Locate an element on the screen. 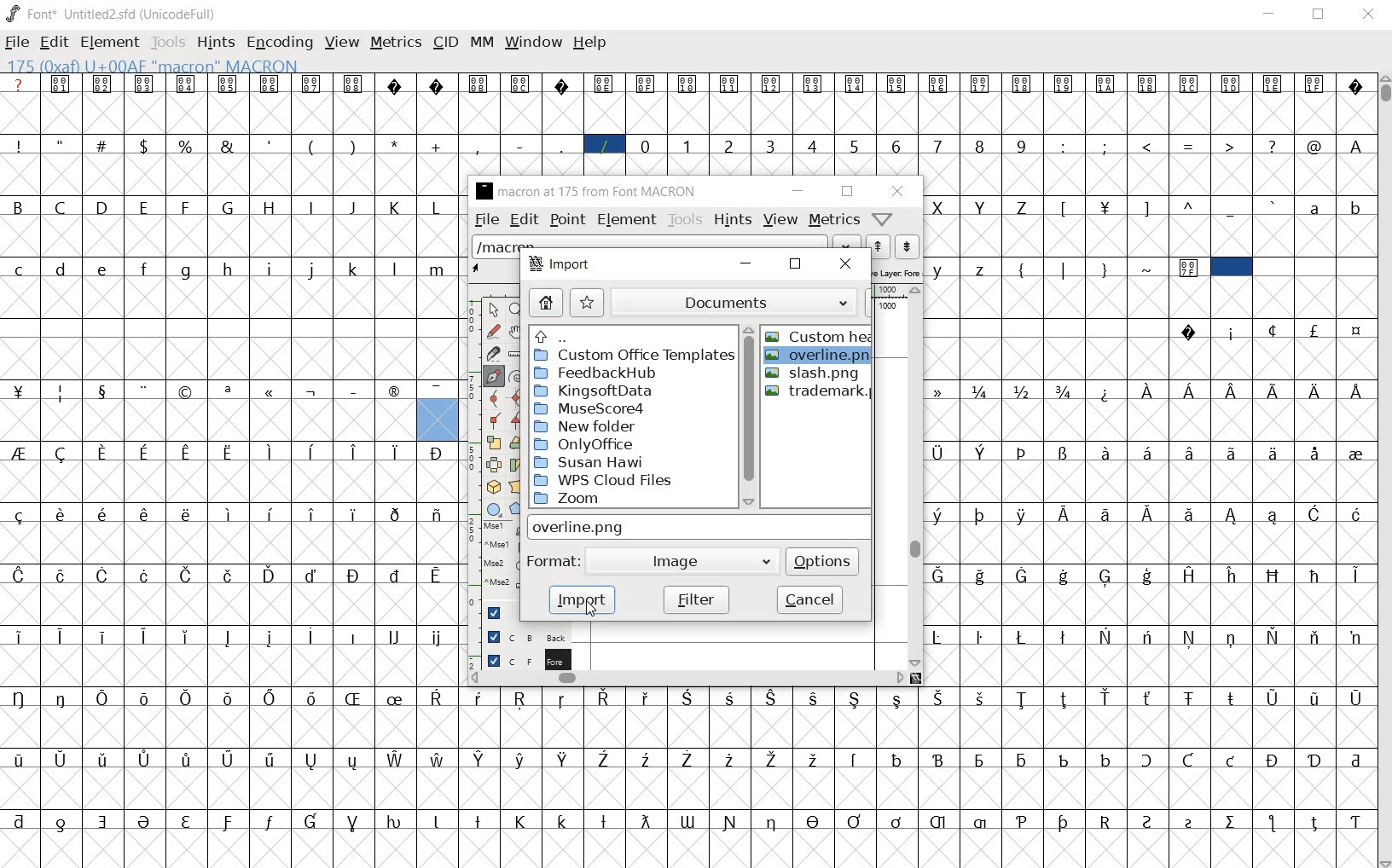 This screenshot has height=868, width=1392. Symbol is located at coordinates (981, 574).